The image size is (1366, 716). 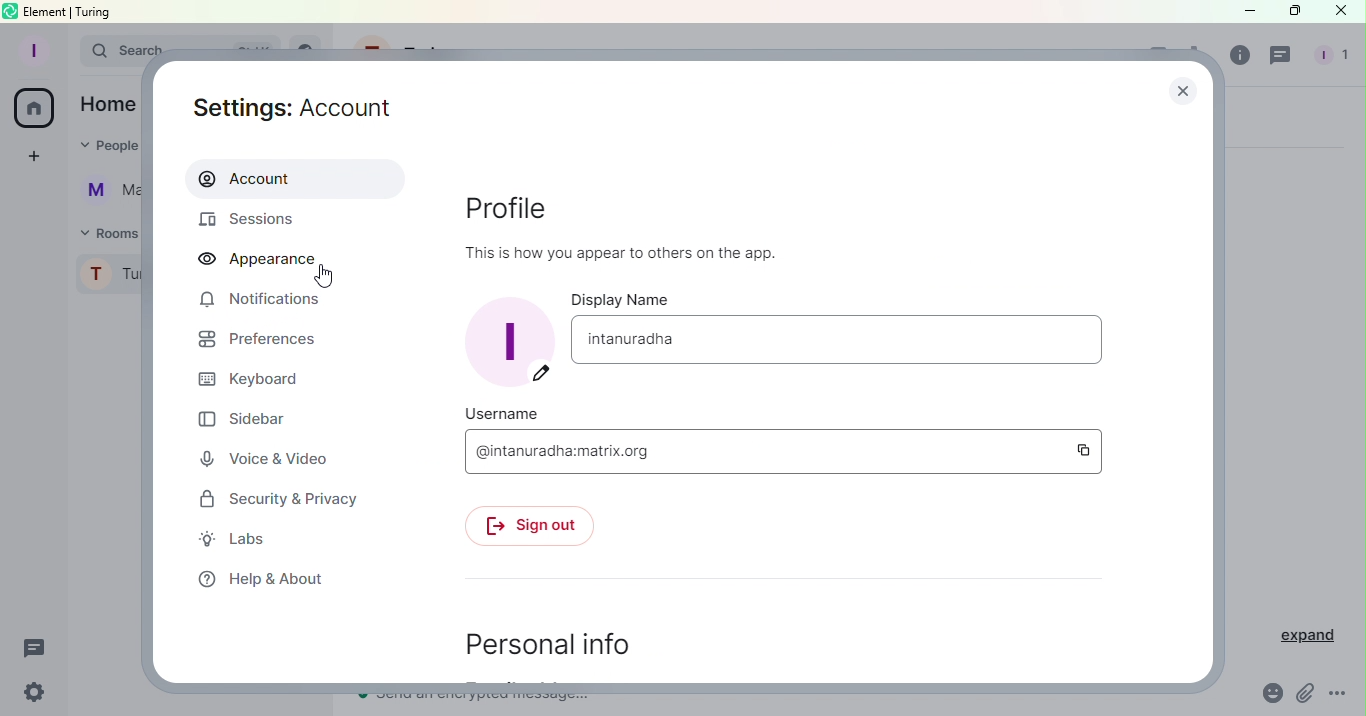 I want to click on Close, so click(x=1176, y=89).